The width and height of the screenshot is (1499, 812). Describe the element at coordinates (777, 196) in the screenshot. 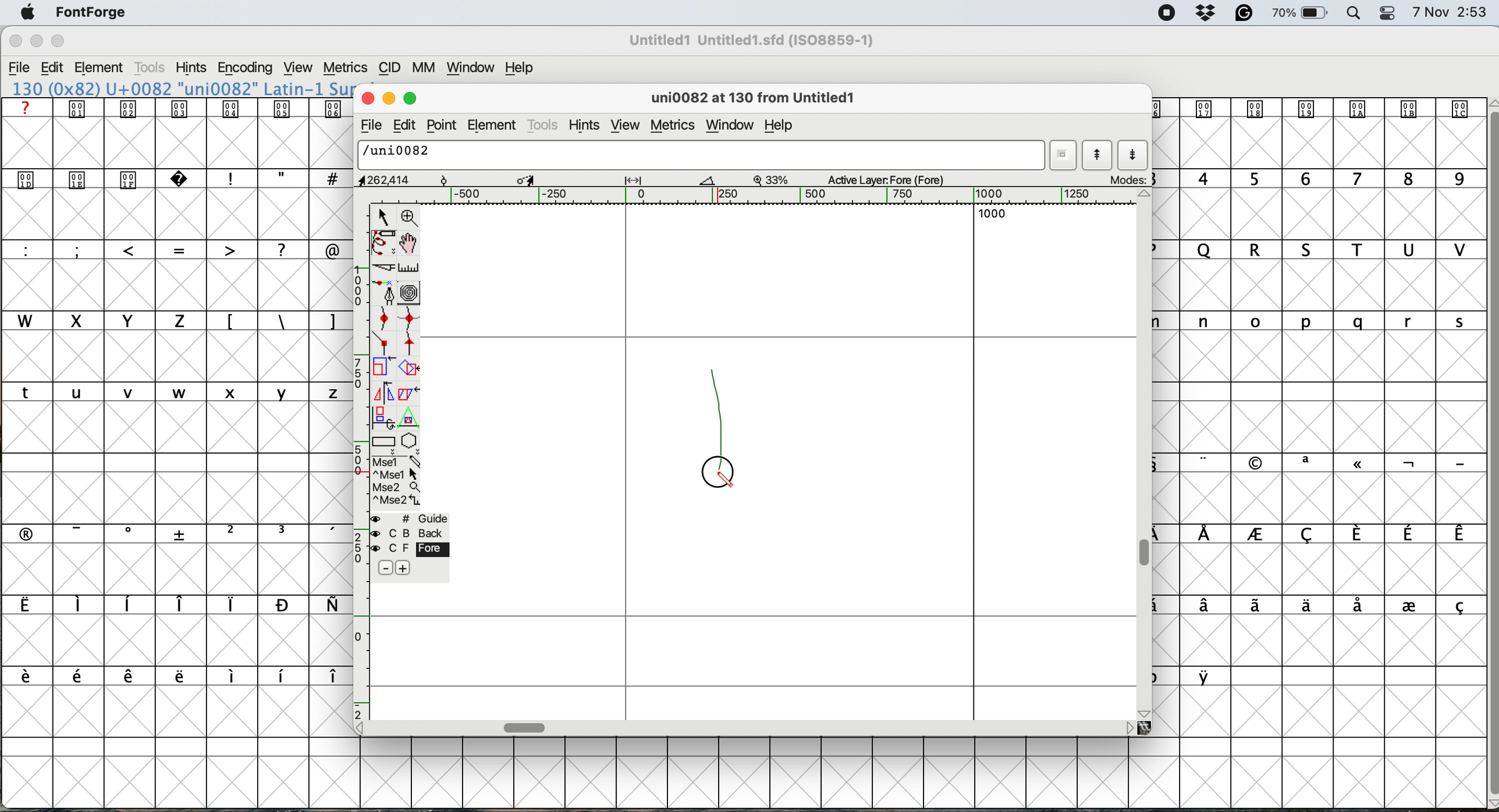

I see `horizontal scale` at that location.